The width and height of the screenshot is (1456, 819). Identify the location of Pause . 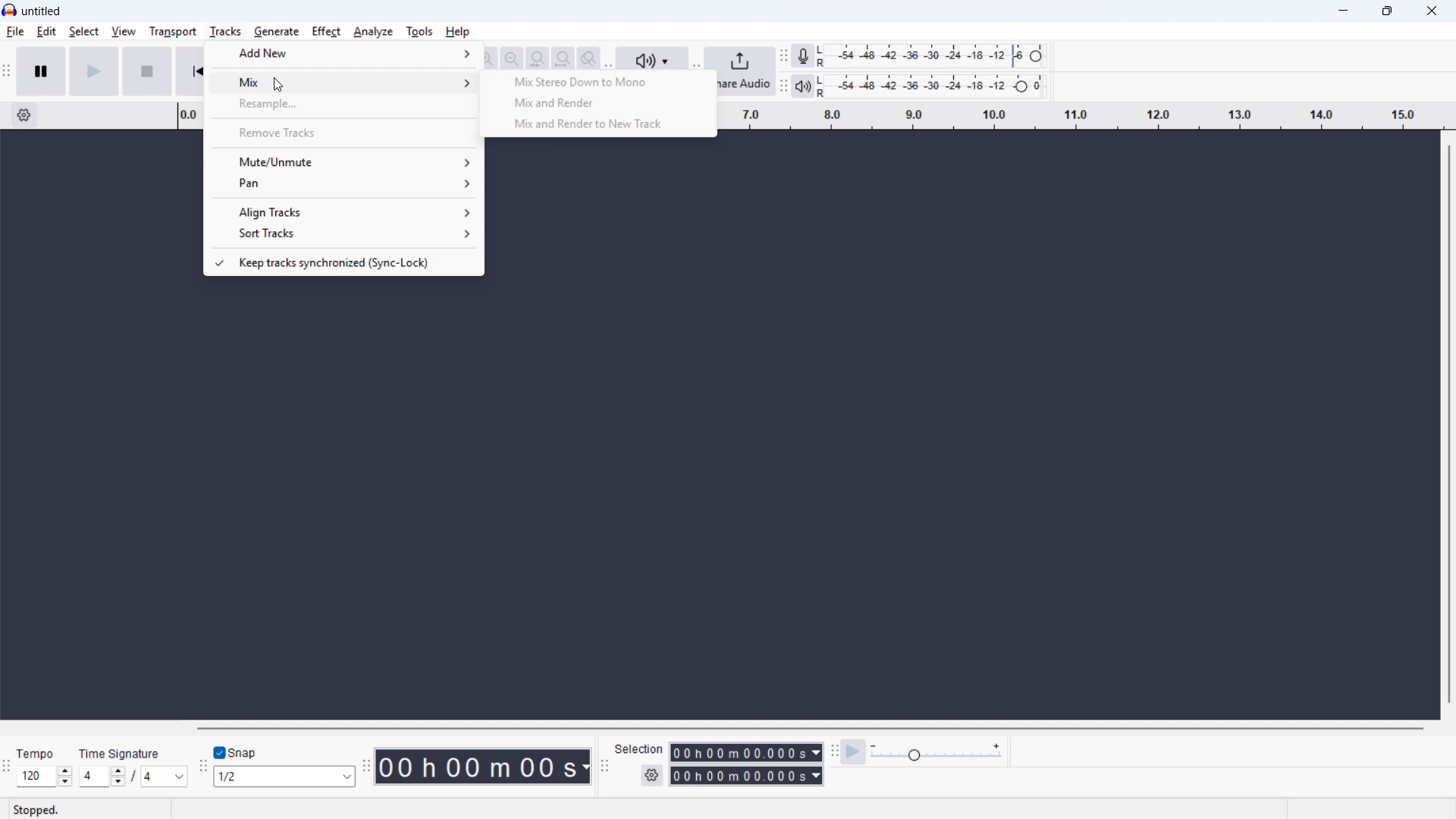
(42, 71).